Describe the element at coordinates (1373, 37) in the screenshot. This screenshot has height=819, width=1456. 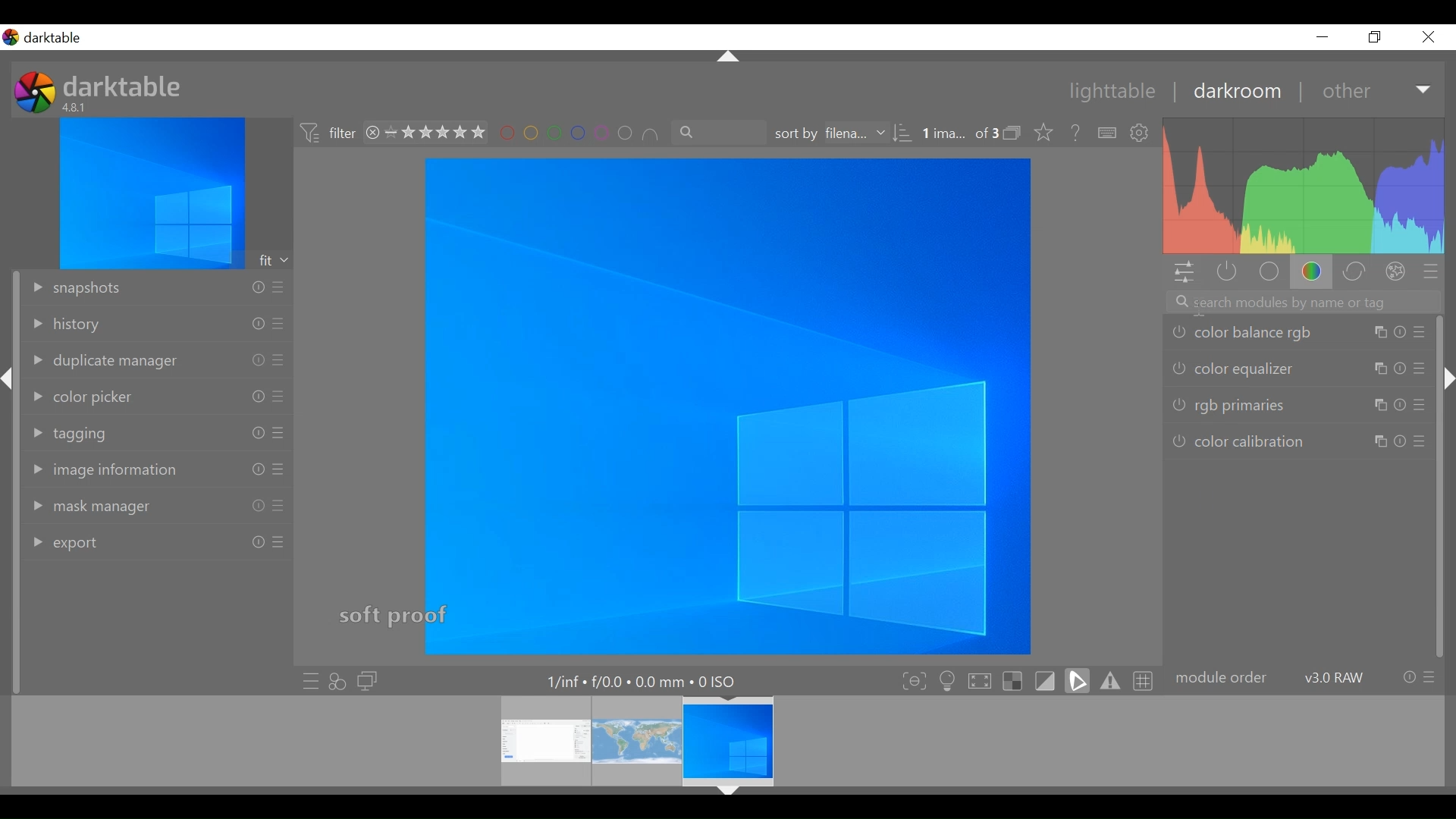
I see `restore` at that location.